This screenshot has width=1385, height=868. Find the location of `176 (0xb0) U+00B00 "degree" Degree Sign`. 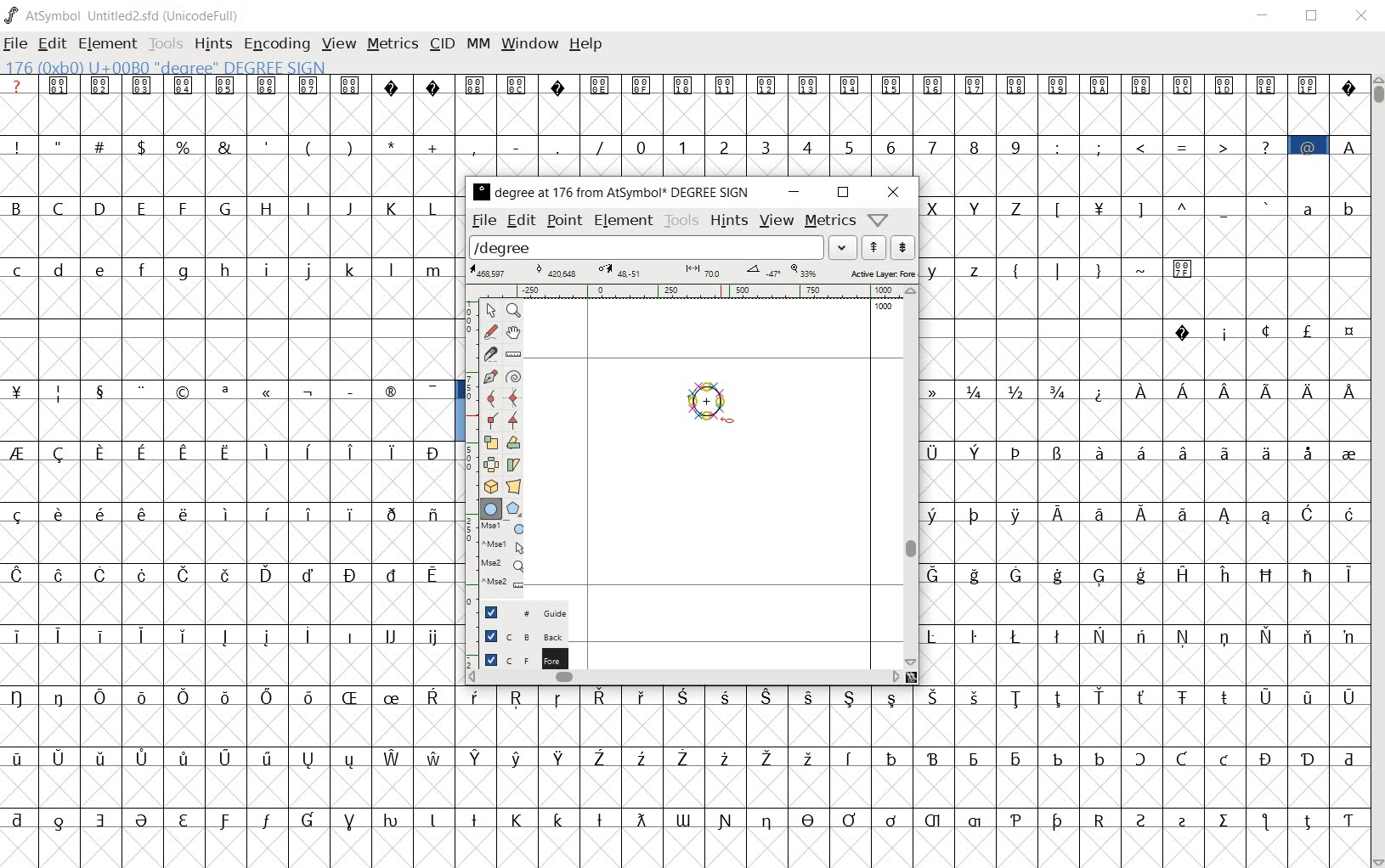

176 (0xb0) U+00B00 "degree" Degree Sign is located at coordinates (170, 68).